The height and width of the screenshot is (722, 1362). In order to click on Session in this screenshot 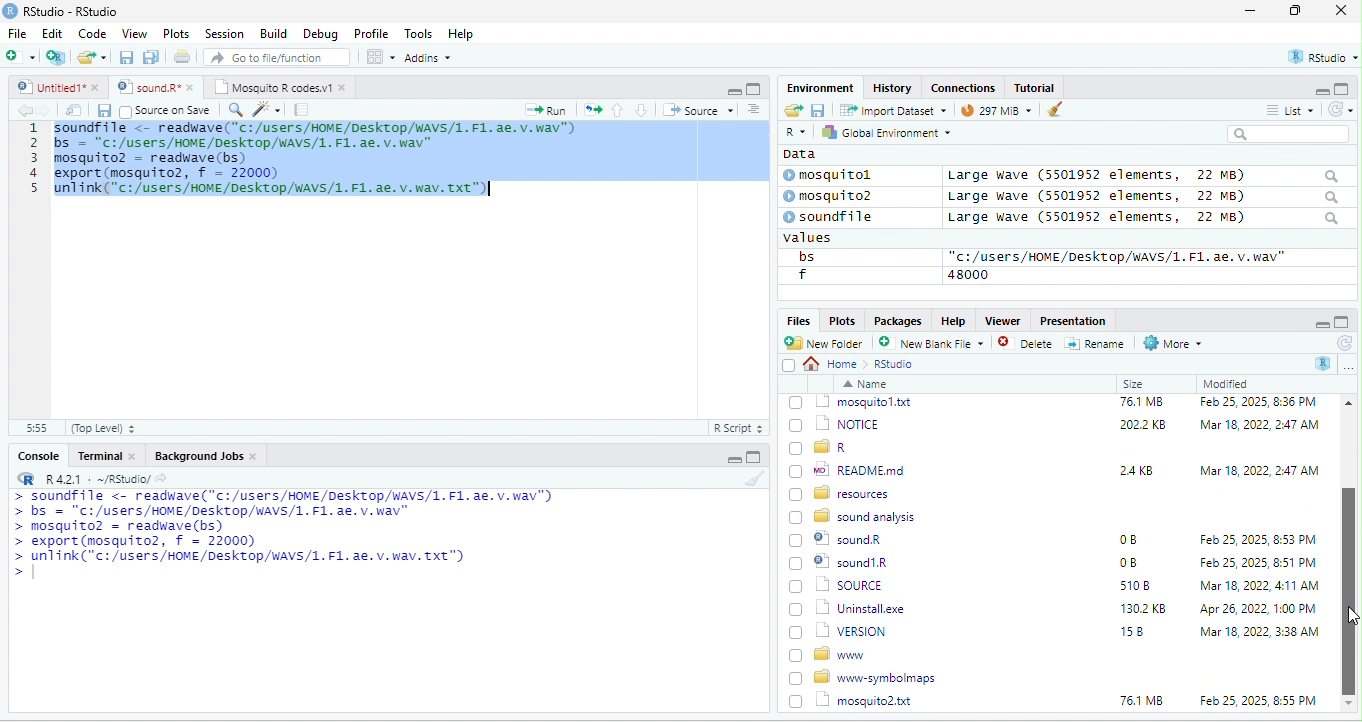, I will do `click(225, 32)`.